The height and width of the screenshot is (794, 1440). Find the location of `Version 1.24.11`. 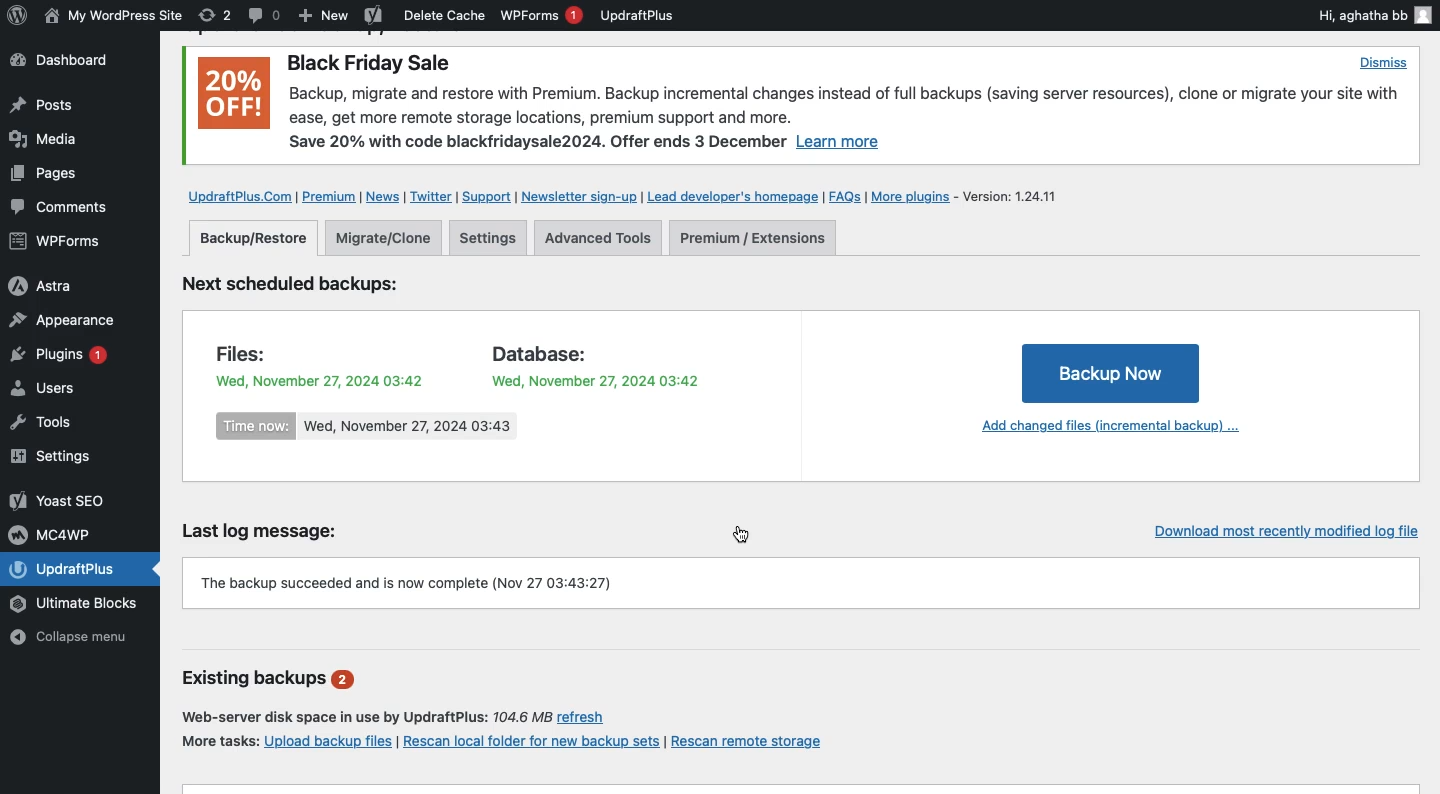

Version 1.24.11 is located at coordinates (1011, 196).